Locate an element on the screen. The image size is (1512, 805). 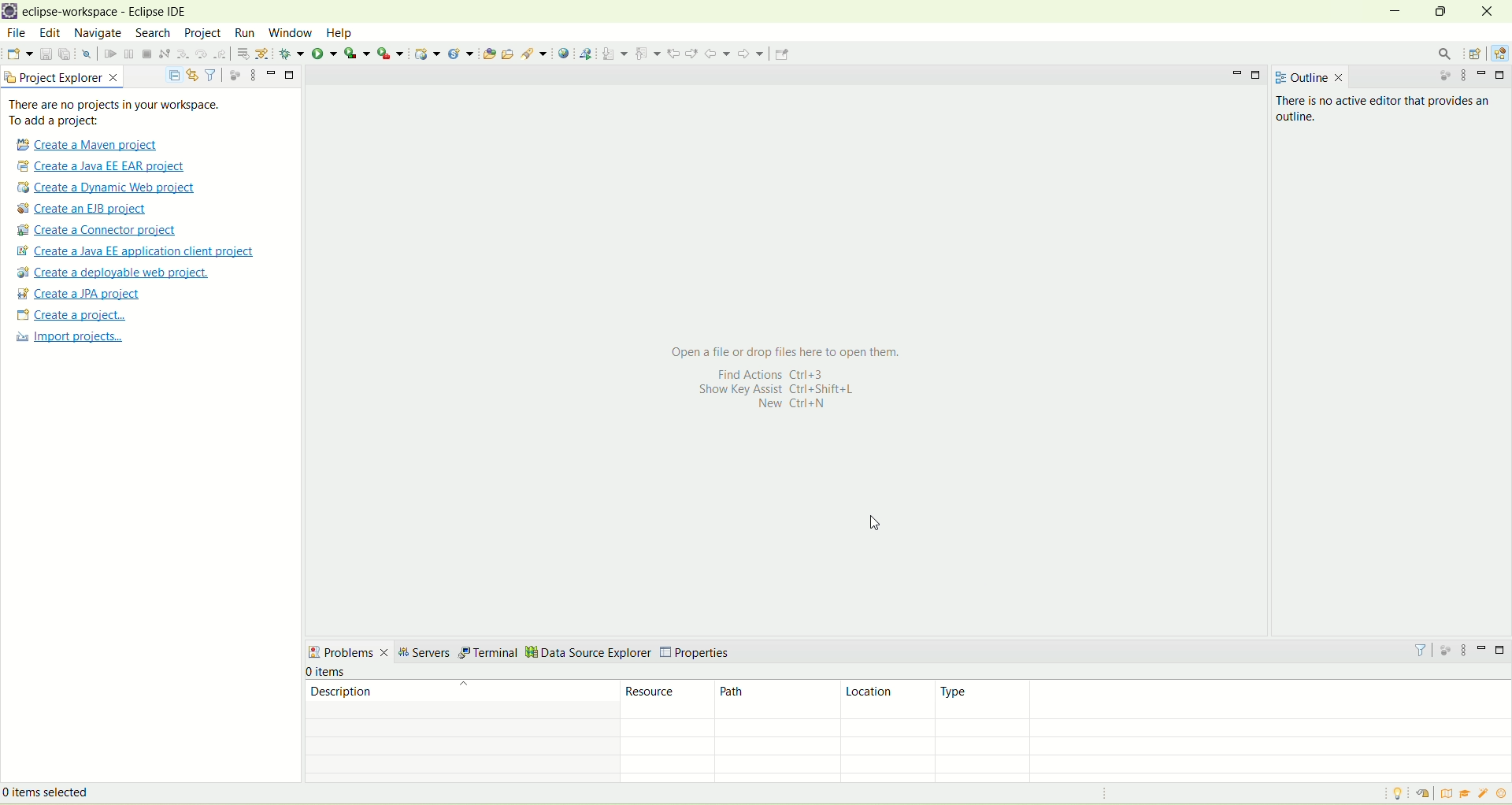
filter is located at coordinates (211, 75).